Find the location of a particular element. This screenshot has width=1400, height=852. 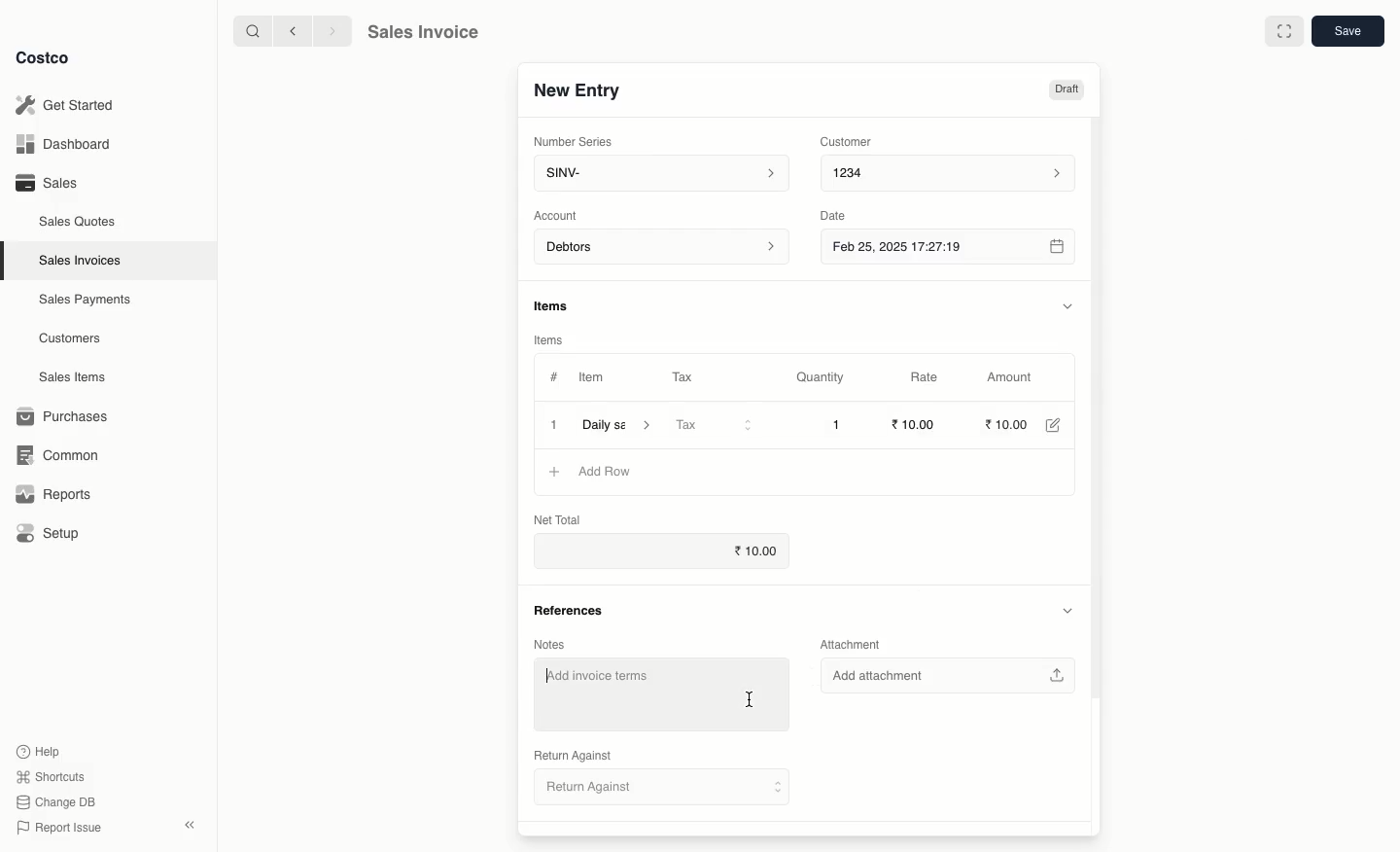

1234 is located at coordinates (956, 176).